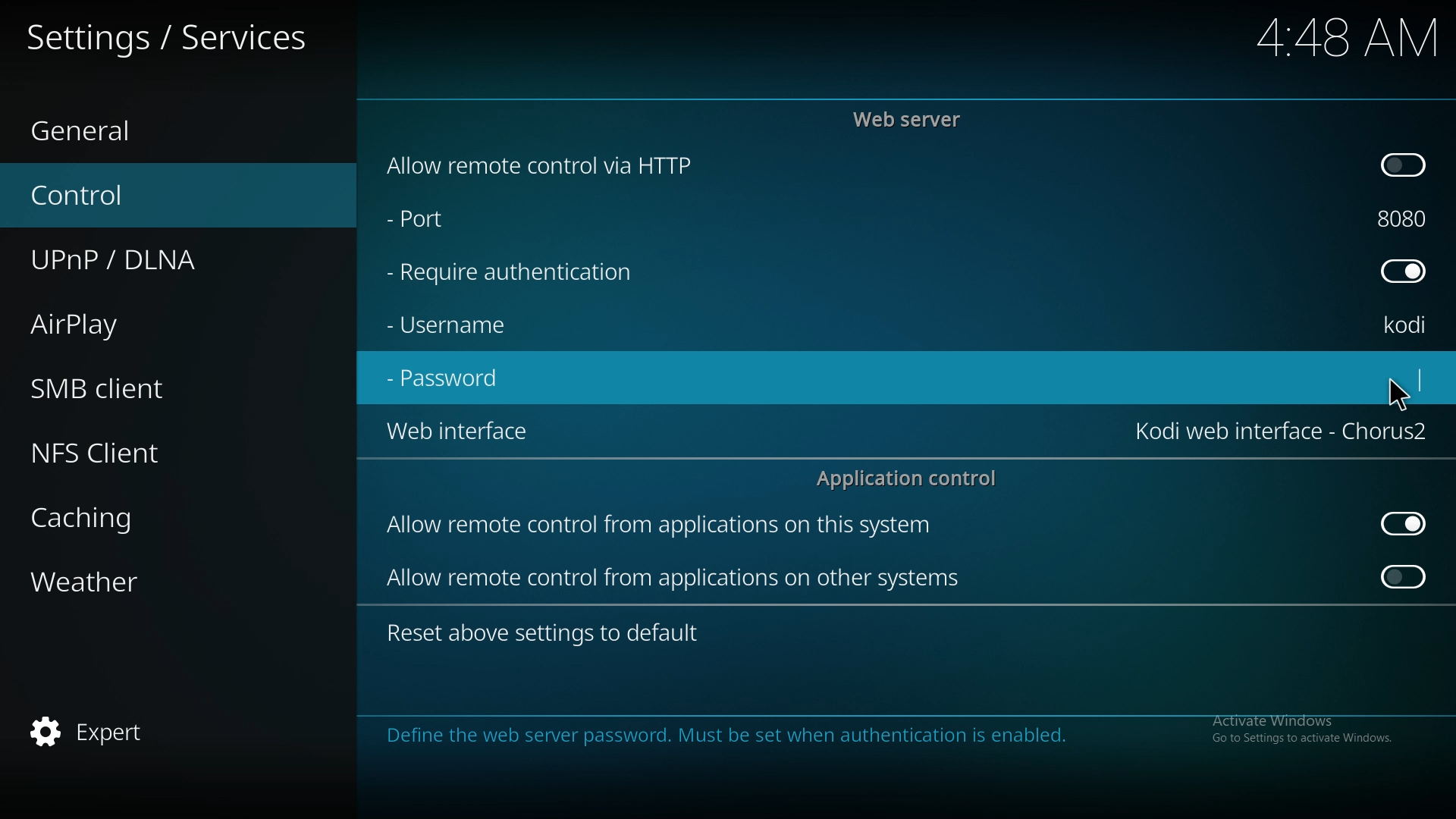 The height and width of the screenshot is (819, 1456). What do you see at coordinates (114, 326) in the screenshot?
I see `airplay` at bounding box center [114, 326].